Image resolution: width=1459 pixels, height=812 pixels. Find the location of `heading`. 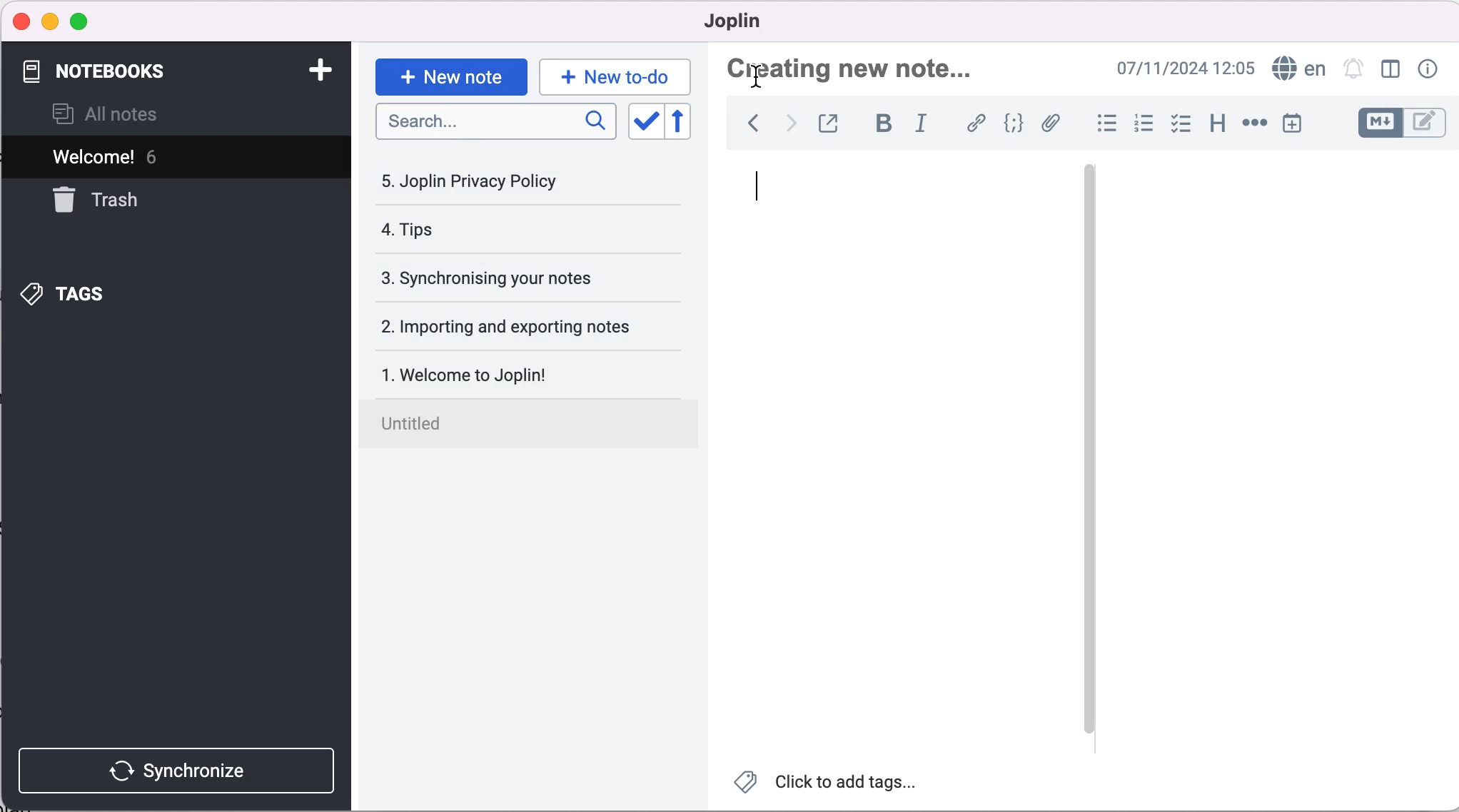

heading is located at coordinates (1216, 123).